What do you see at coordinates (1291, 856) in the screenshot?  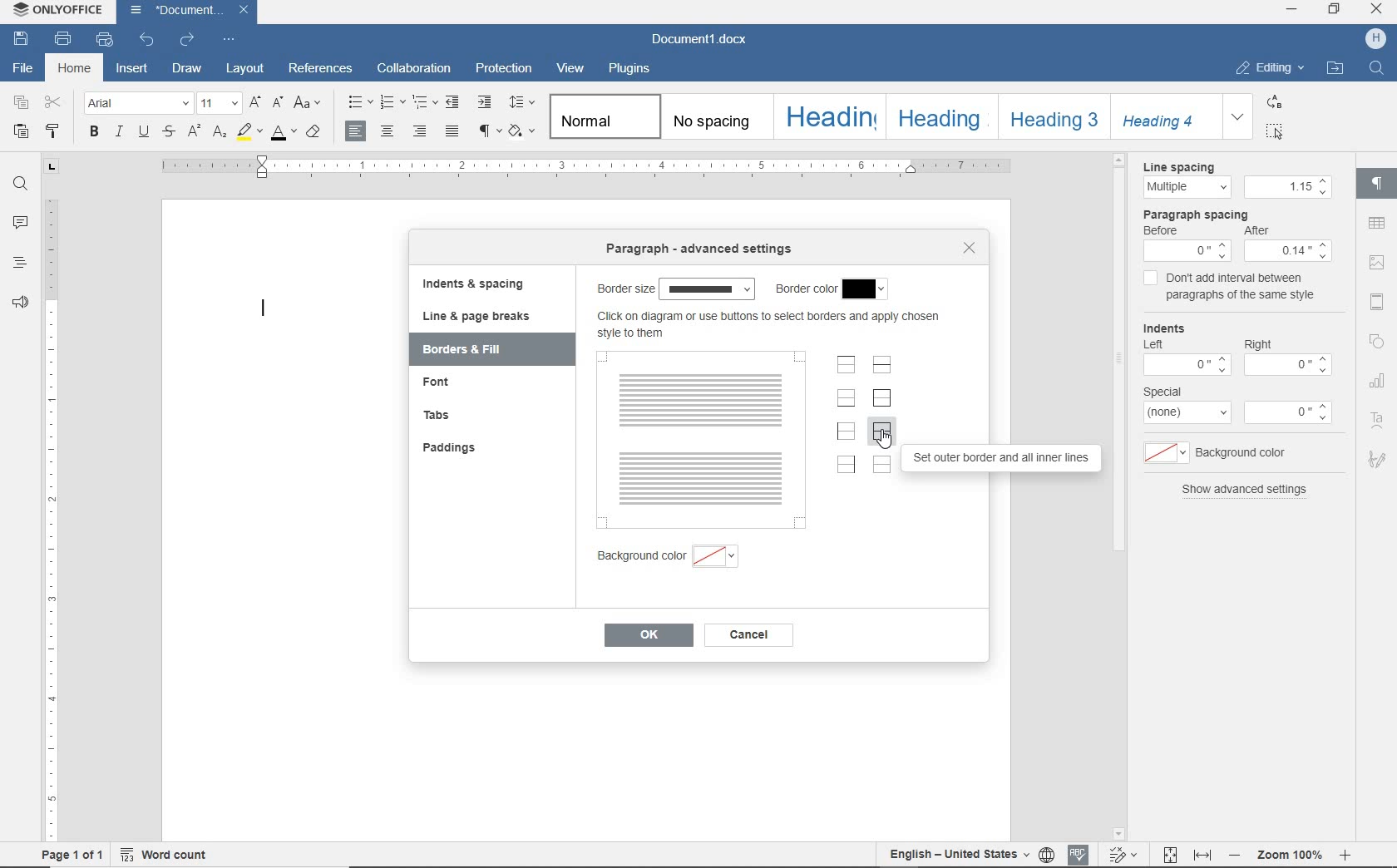 I see `- Zoom 100% +` at bounding box center [1291, 856].